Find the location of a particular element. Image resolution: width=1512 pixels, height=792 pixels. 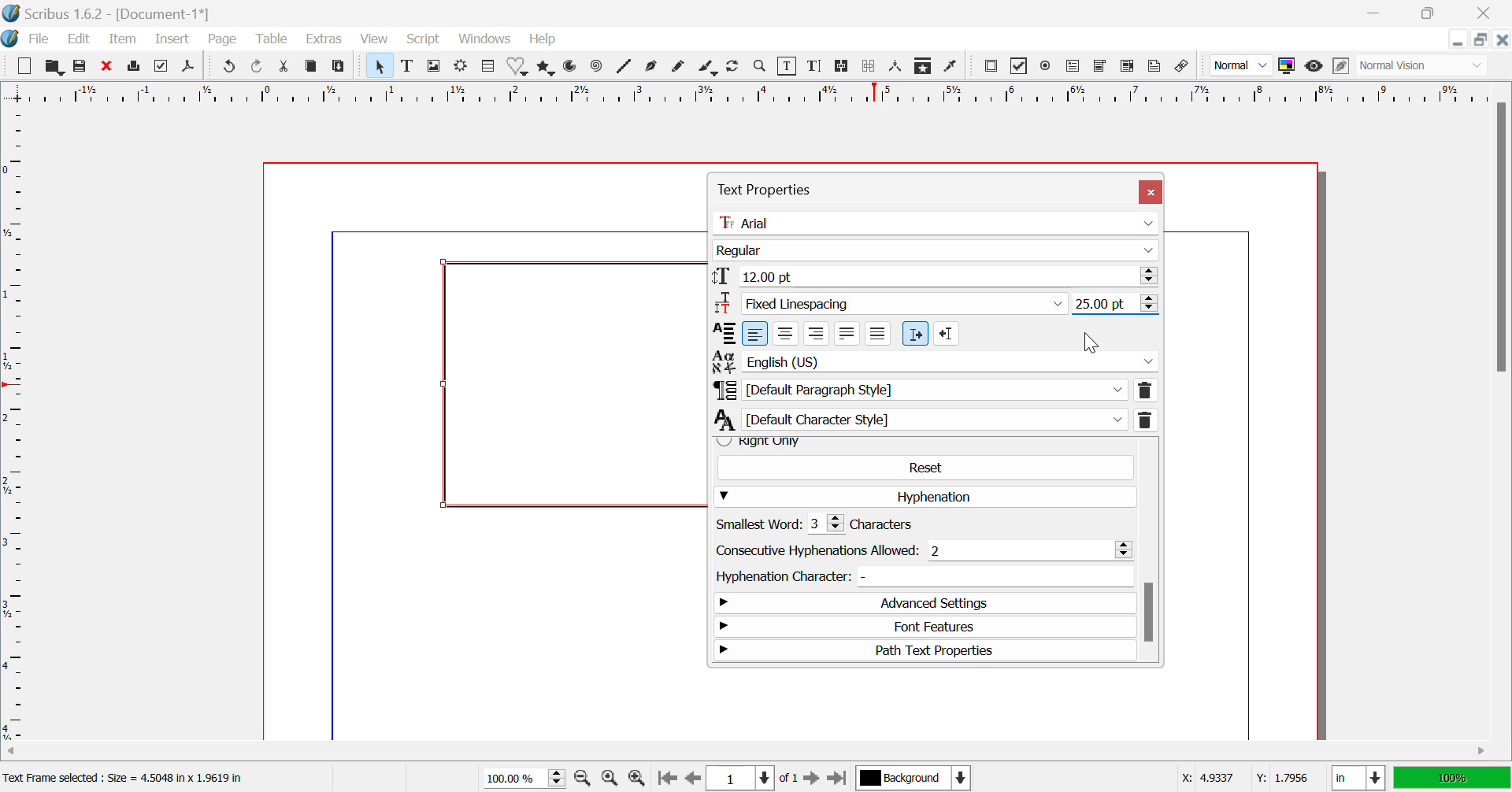

Freehand Line is located at coordinates (679, 69).